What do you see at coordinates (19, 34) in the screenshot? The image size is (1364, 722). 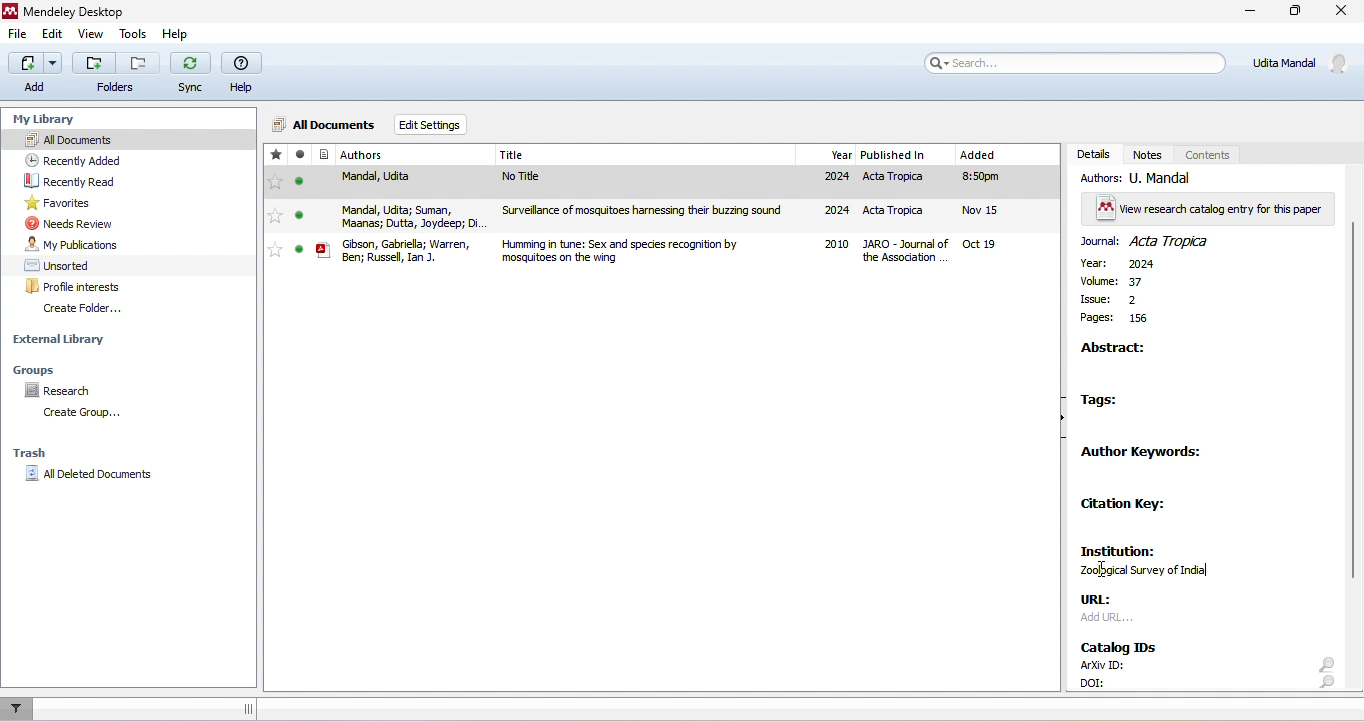 I see `file` at bounding box center [19, 34].